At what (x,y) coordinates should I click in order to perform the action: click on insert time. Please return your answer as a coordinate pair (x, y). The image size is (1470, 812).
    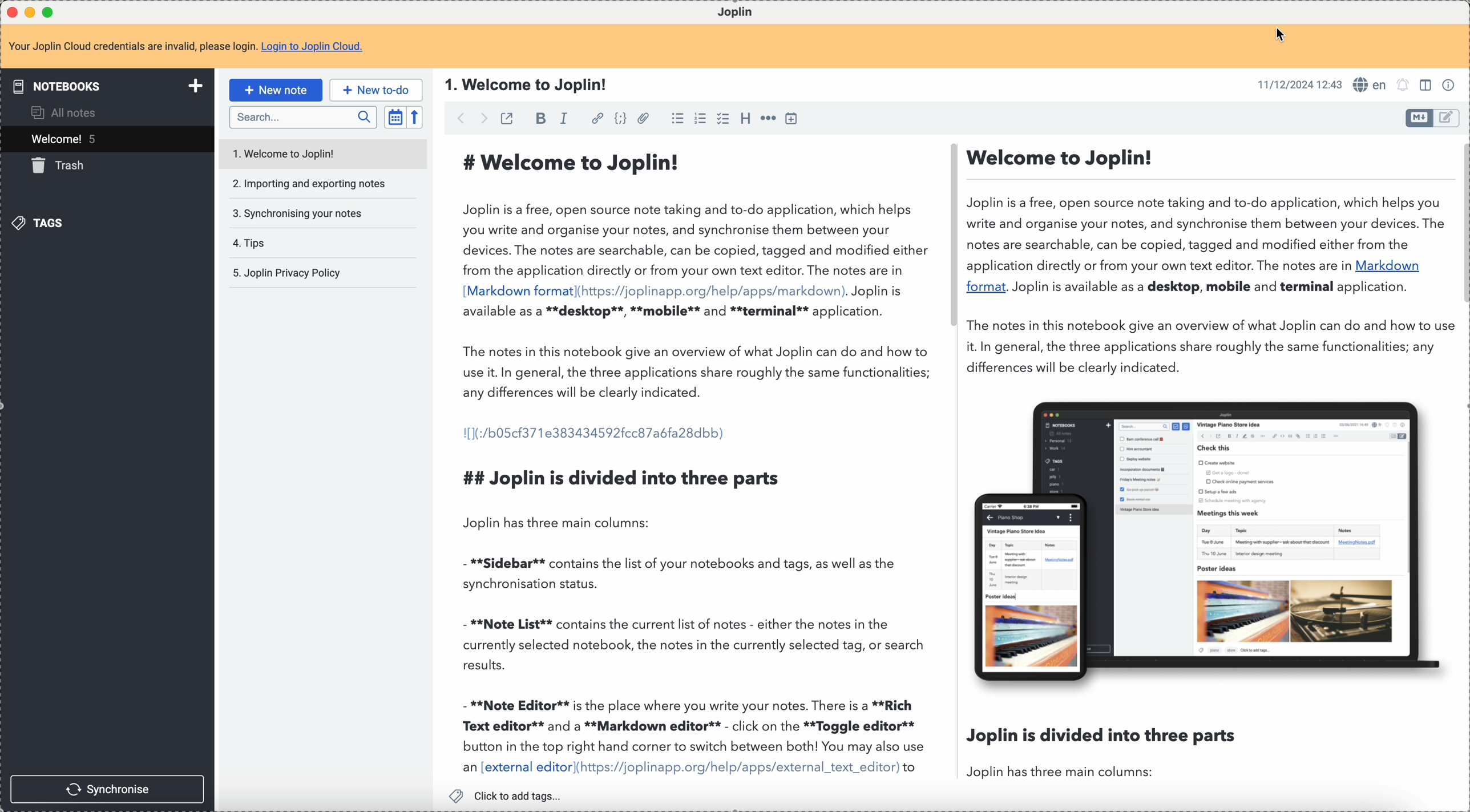
    Looking at the image, I should click on (791, 118).